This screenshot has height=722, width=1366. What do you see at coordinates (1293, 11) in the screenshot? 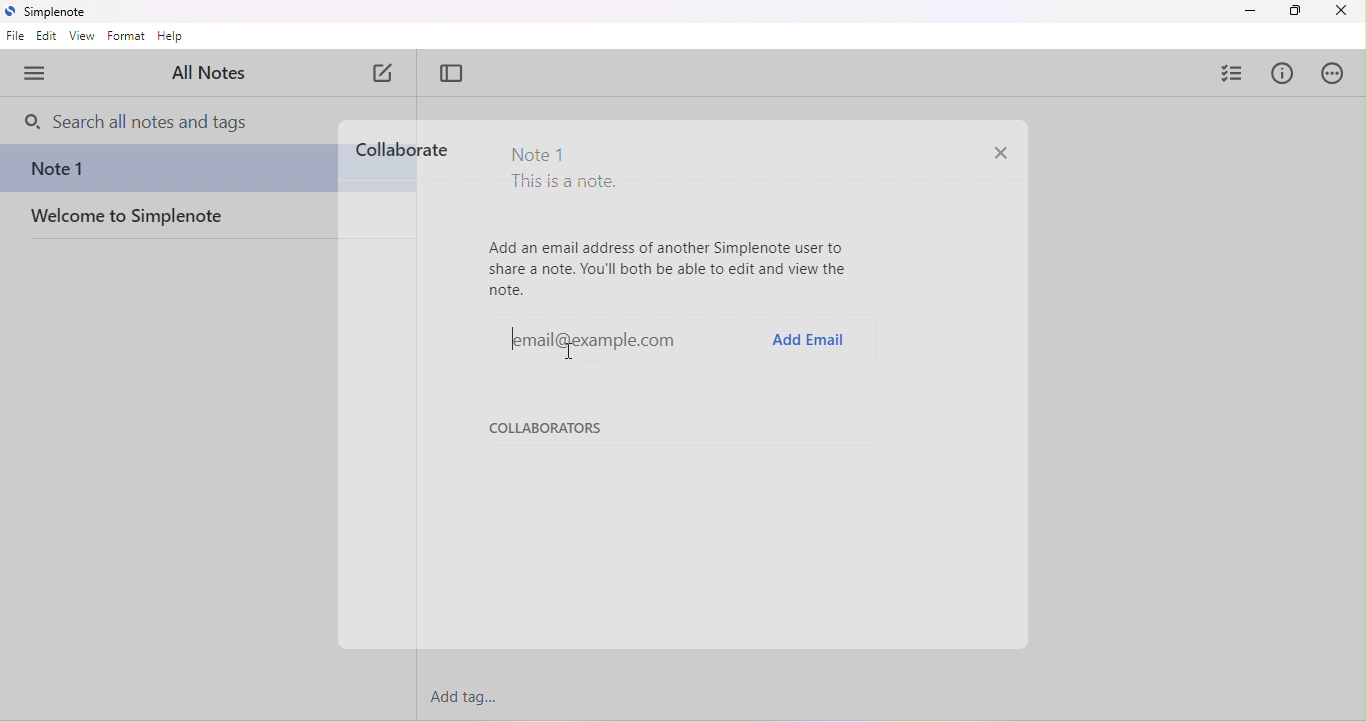
I see `maximize` at bounding box center [1293, 11].